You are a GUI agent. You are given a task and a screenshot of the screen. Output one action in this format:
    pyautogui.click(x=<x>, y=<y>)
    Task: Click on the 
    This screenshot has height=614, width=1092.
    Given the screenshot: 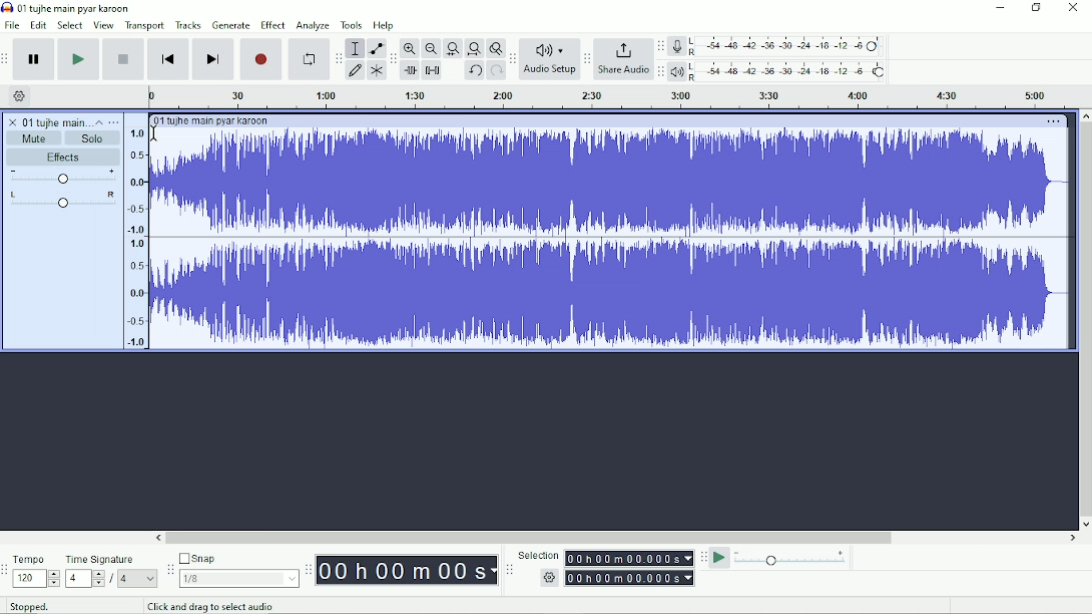 What is the action you would take?
    pyautogui.click(x=547, y=578)
    